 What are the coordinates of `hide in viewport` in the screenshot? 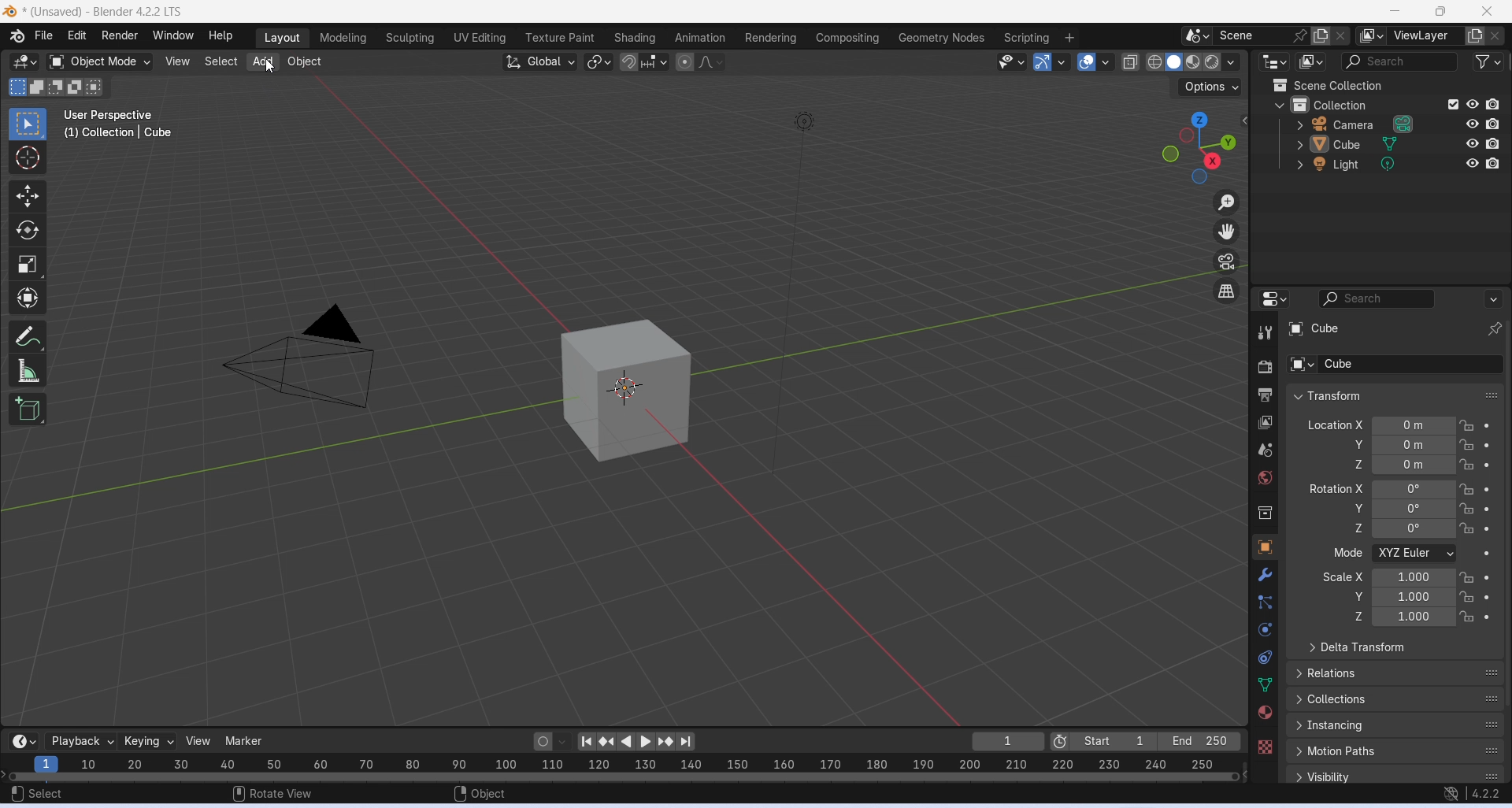 It's located at (1473, 164).